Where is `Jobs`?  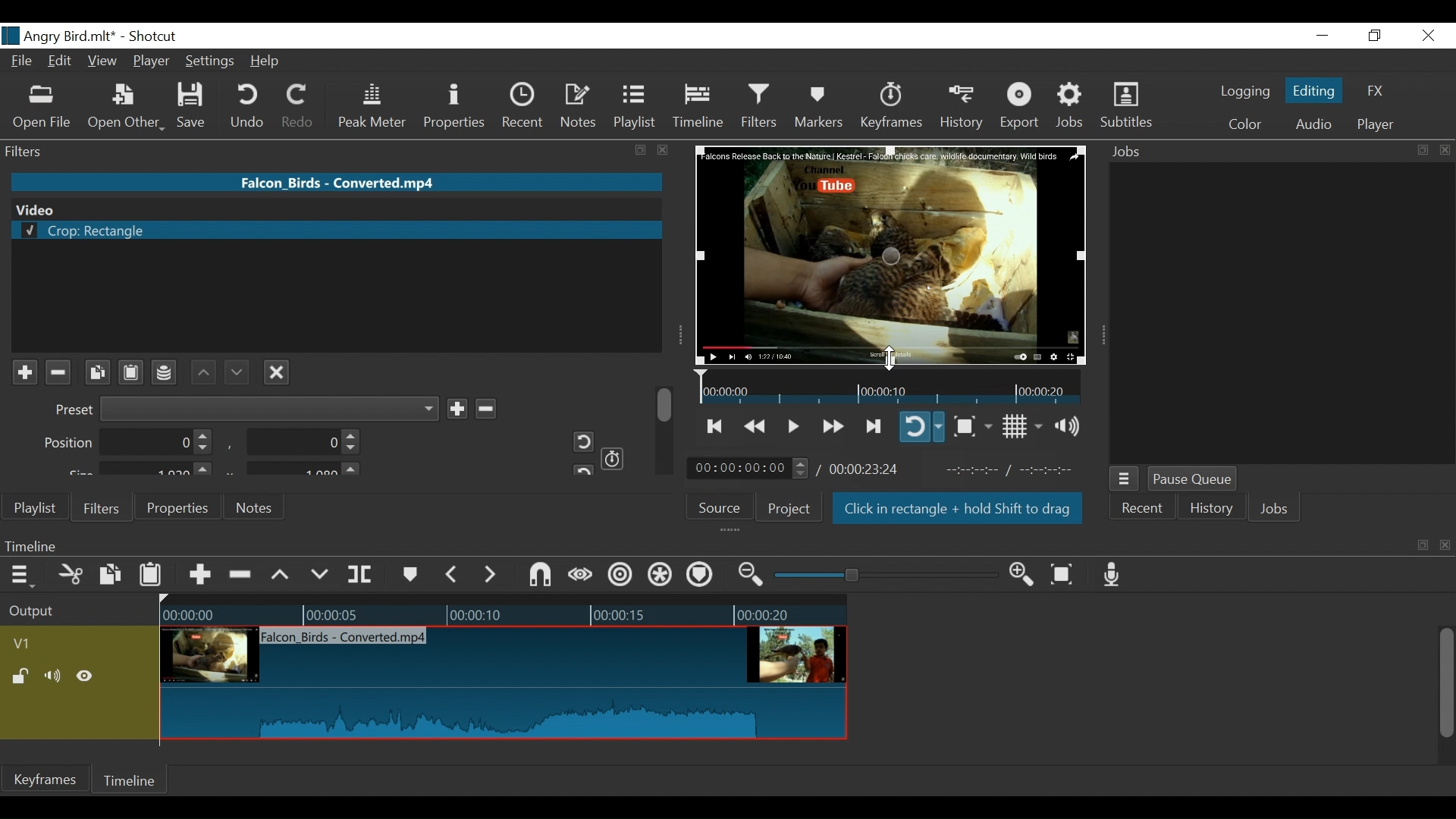
Jobs is located at coordinates (1071, 106).